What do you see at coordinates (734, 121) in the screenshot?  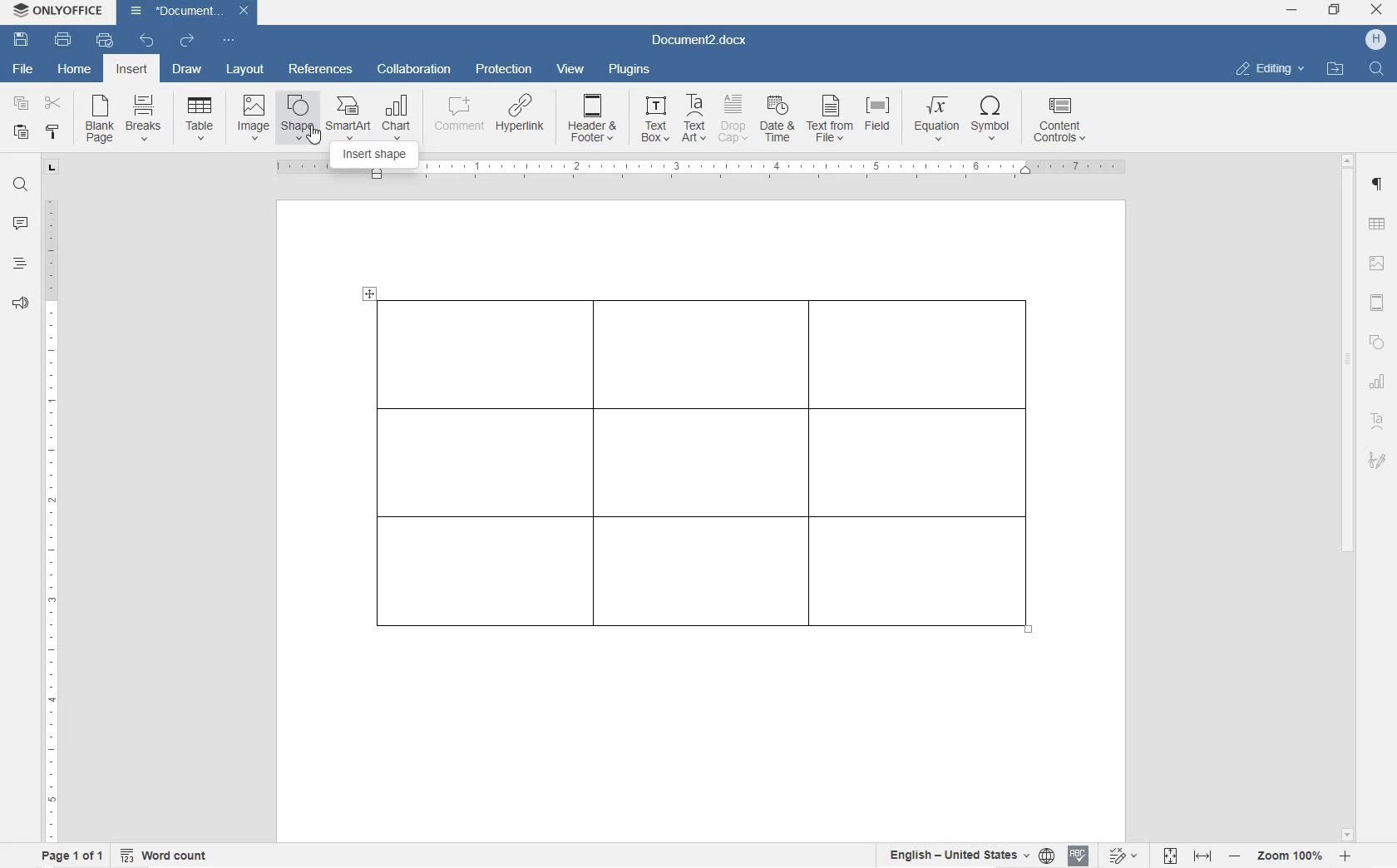 I see `DROP CAP` at bounding box center [734, 121].